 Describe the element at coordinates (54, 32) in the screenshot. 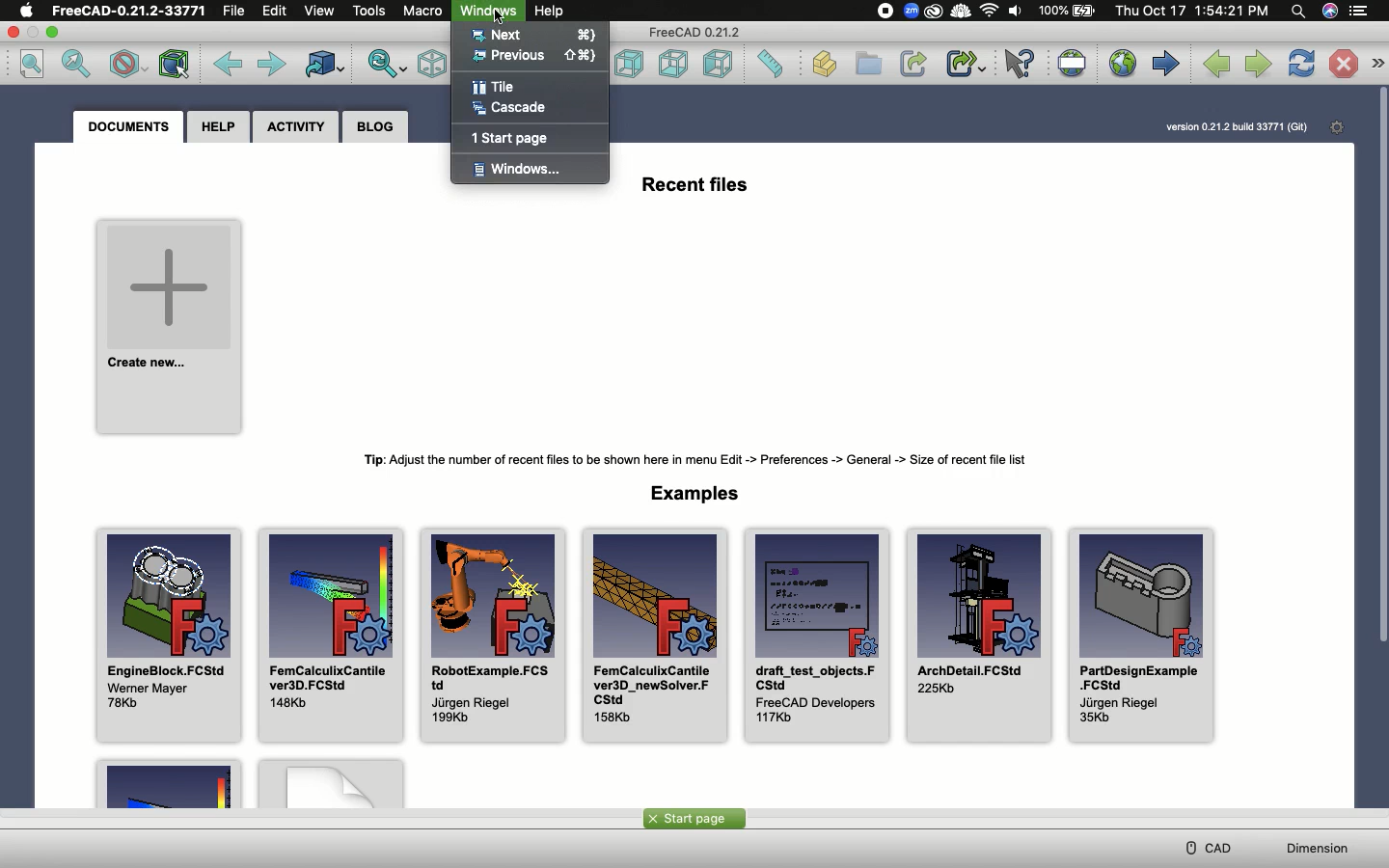

I see `Minimize` at that location.